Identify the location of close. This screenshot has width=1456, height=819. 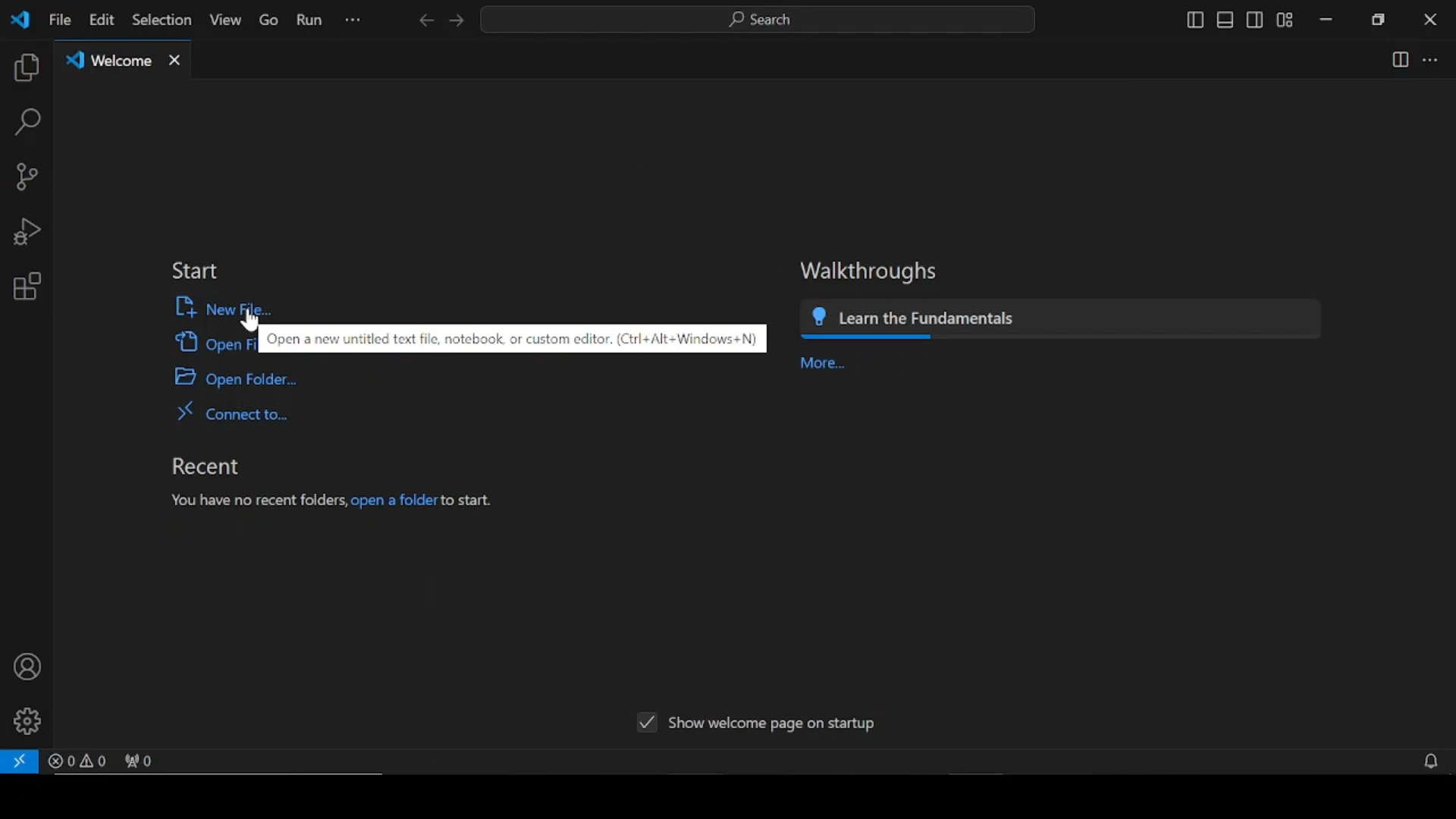
(1430, 19).